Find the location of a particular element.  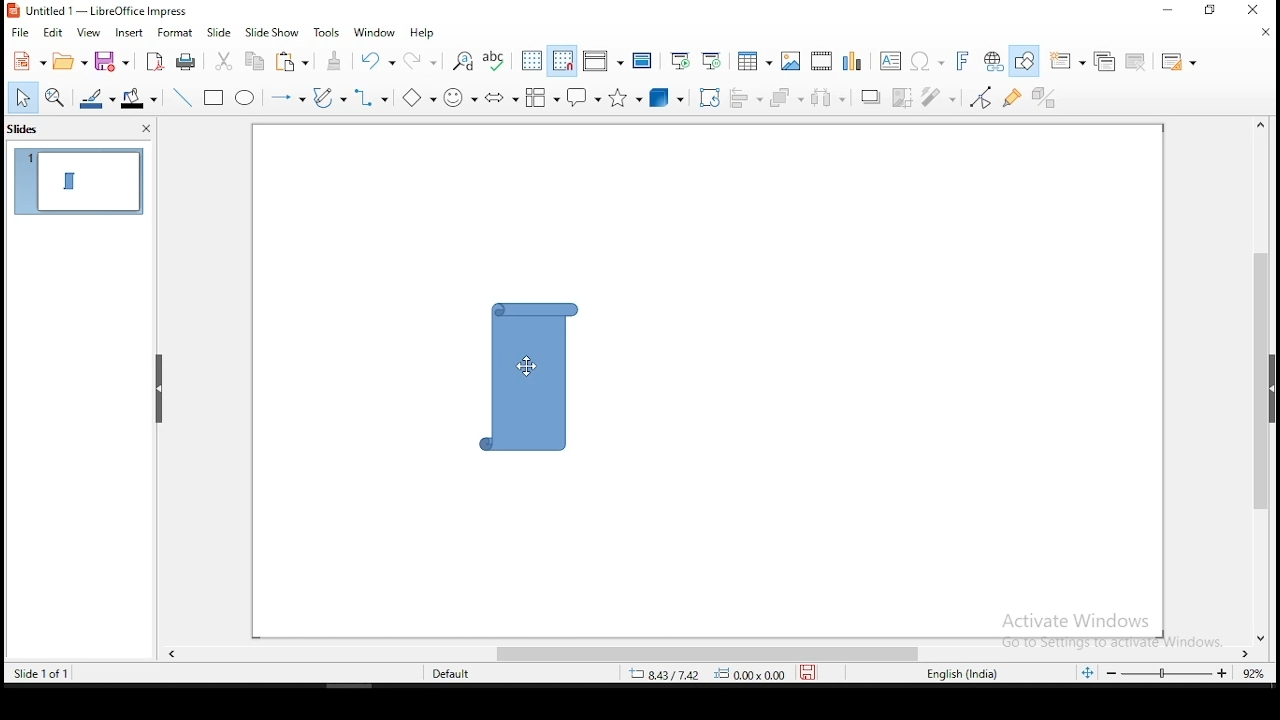

show draw functions is located at coordinates (1027, 61).